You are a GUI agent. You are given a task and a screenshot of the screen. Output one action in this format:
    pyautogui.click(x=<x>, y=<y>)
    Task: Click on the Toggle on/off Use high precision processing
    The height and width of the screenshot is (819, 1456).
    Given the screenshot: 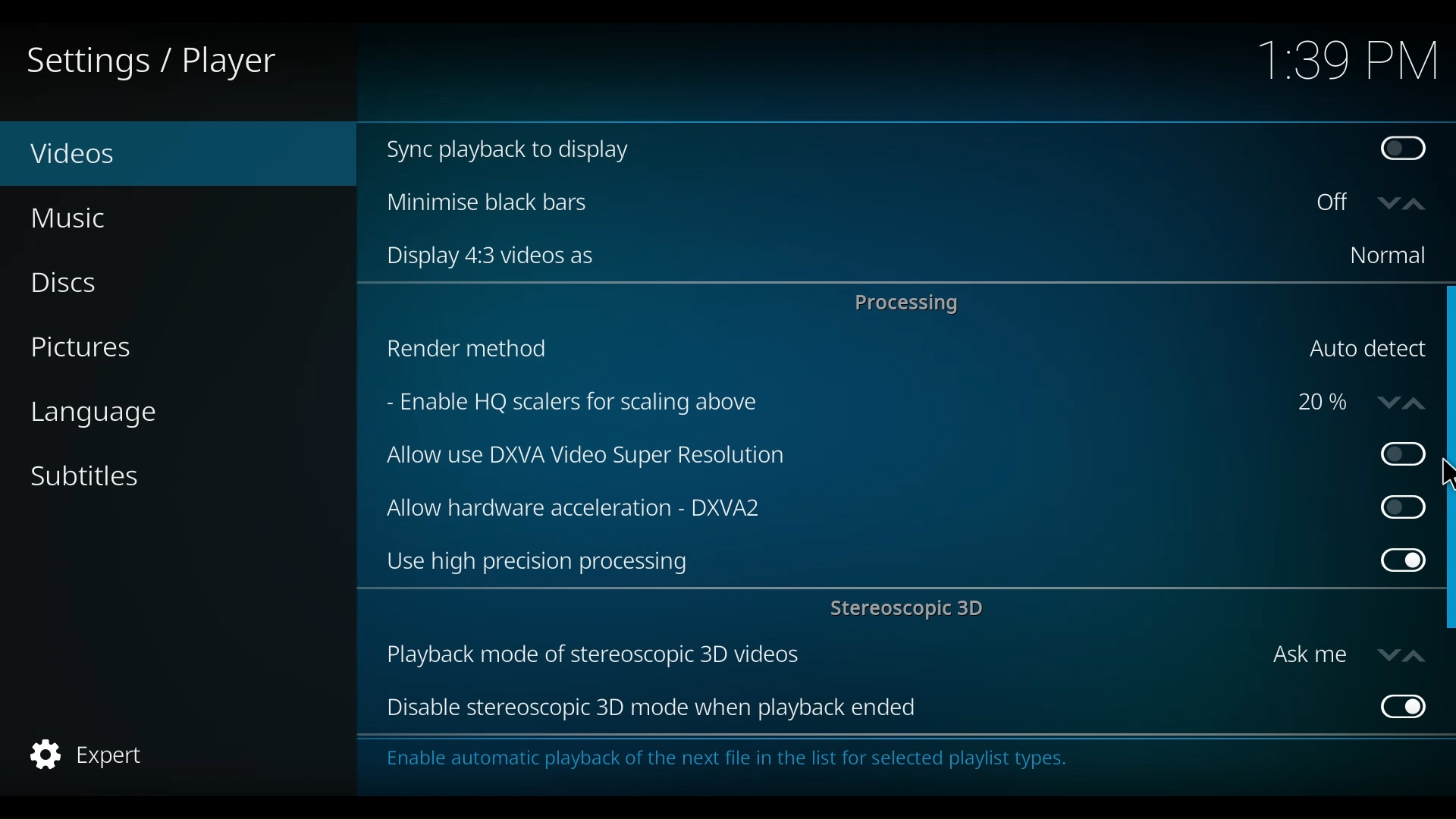 What is the action you would take?
    pyautogui.click(x=1402, y=563)
    